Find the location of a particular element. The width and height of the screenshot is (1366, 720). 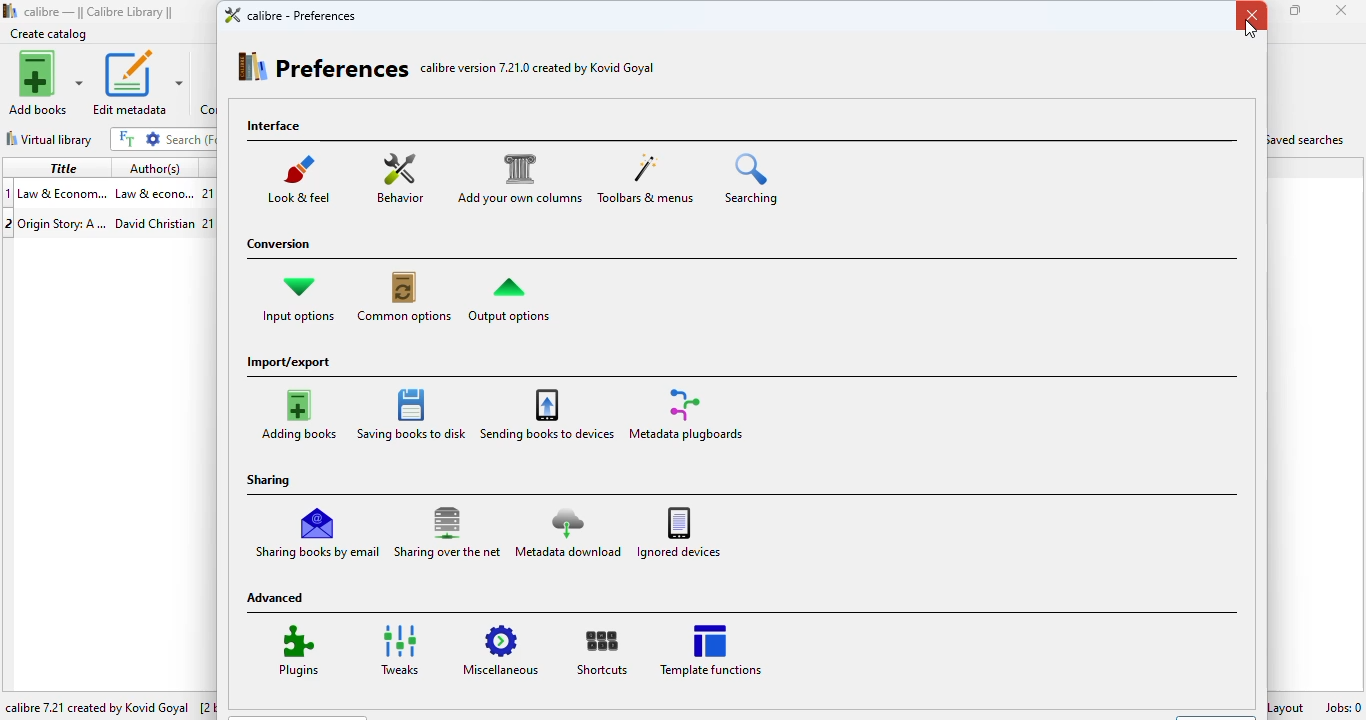

behavior is located at coordinates (398, 177).